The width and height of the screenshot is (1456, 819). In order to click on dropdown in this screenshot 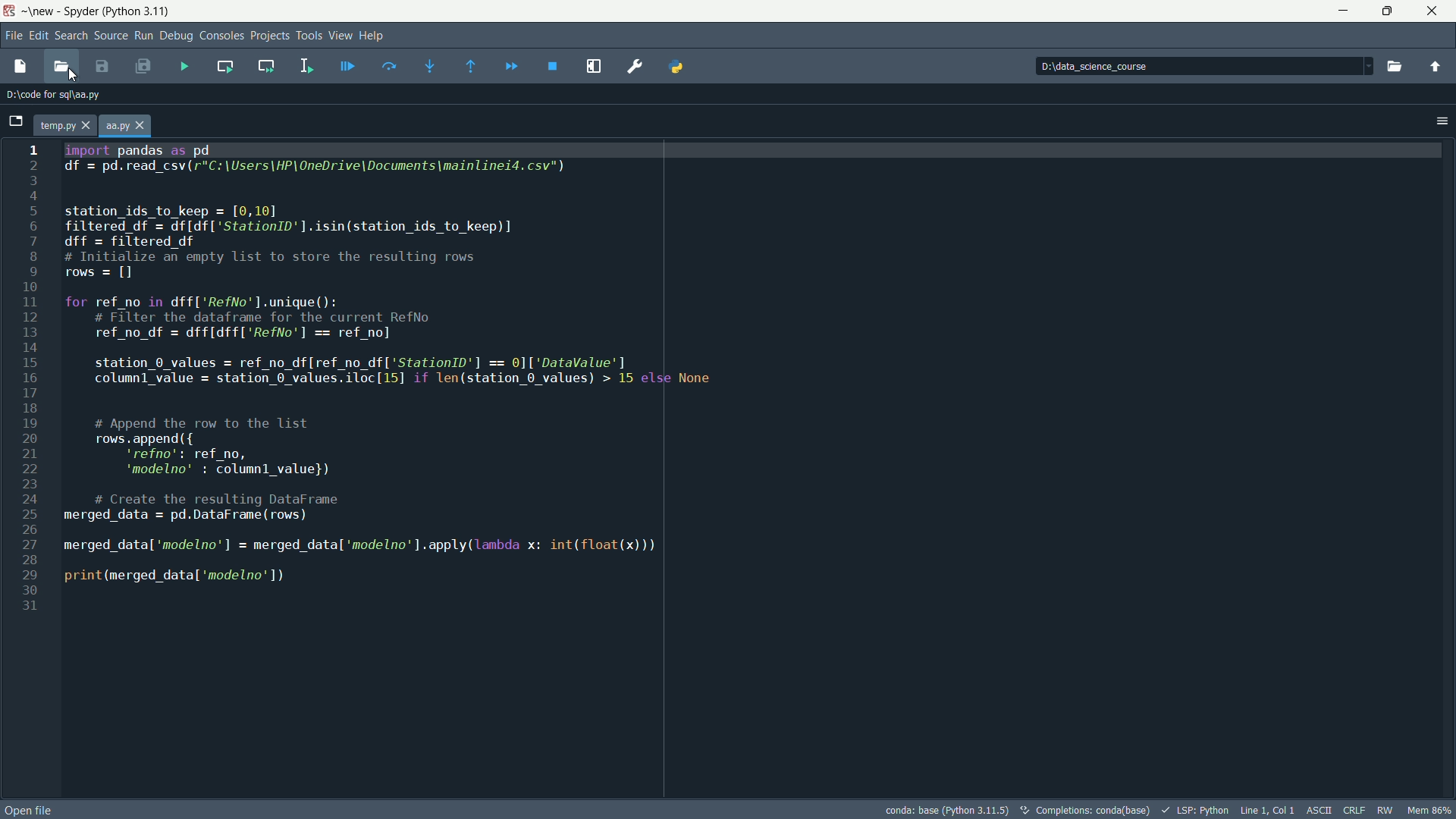, I will do `click(1366, 66)`.